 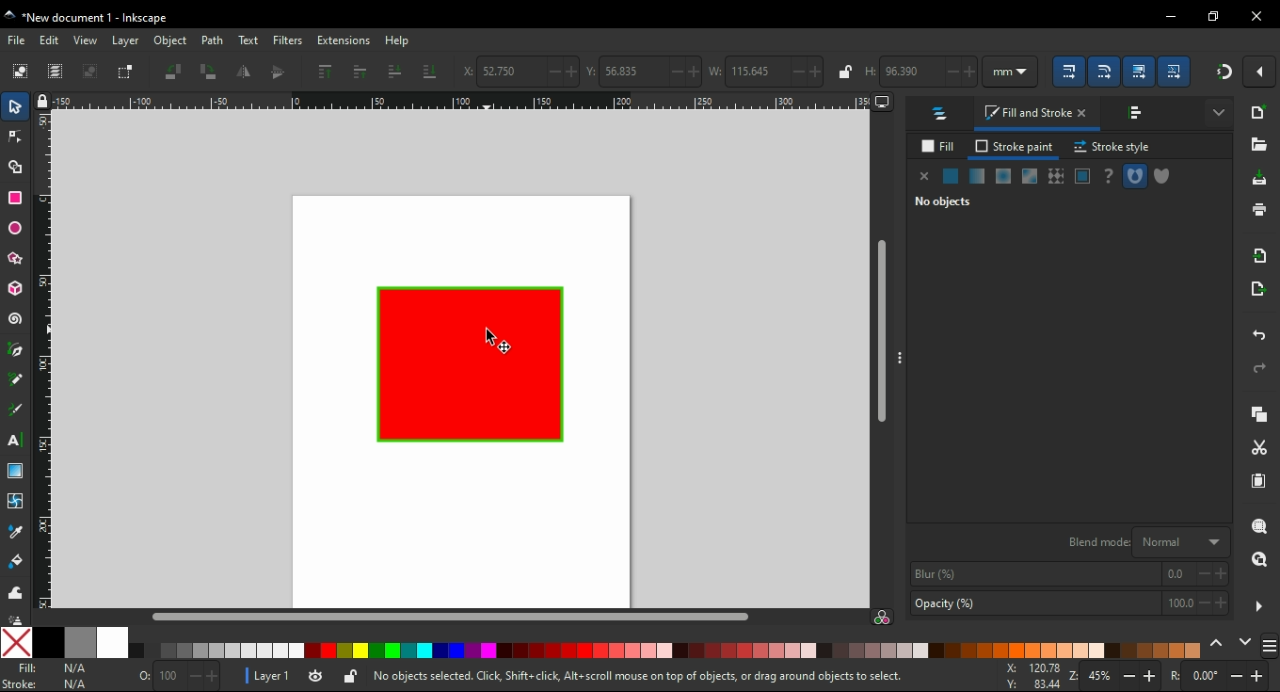 I want to click on restore, so click(x=1215, y=16).